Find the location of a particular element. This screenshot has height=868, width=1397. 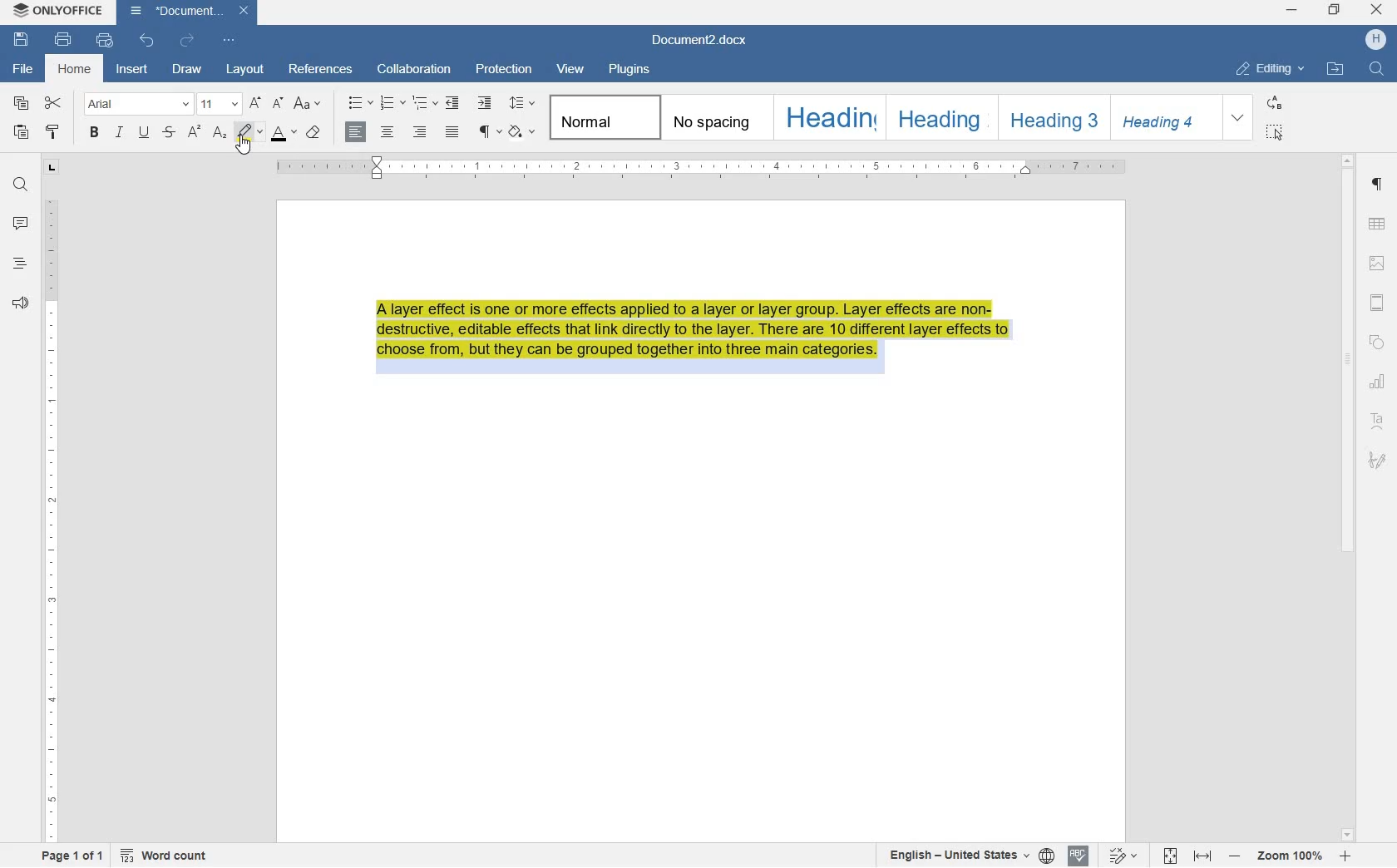

NO SPACING is located at coordinates (713, 118).